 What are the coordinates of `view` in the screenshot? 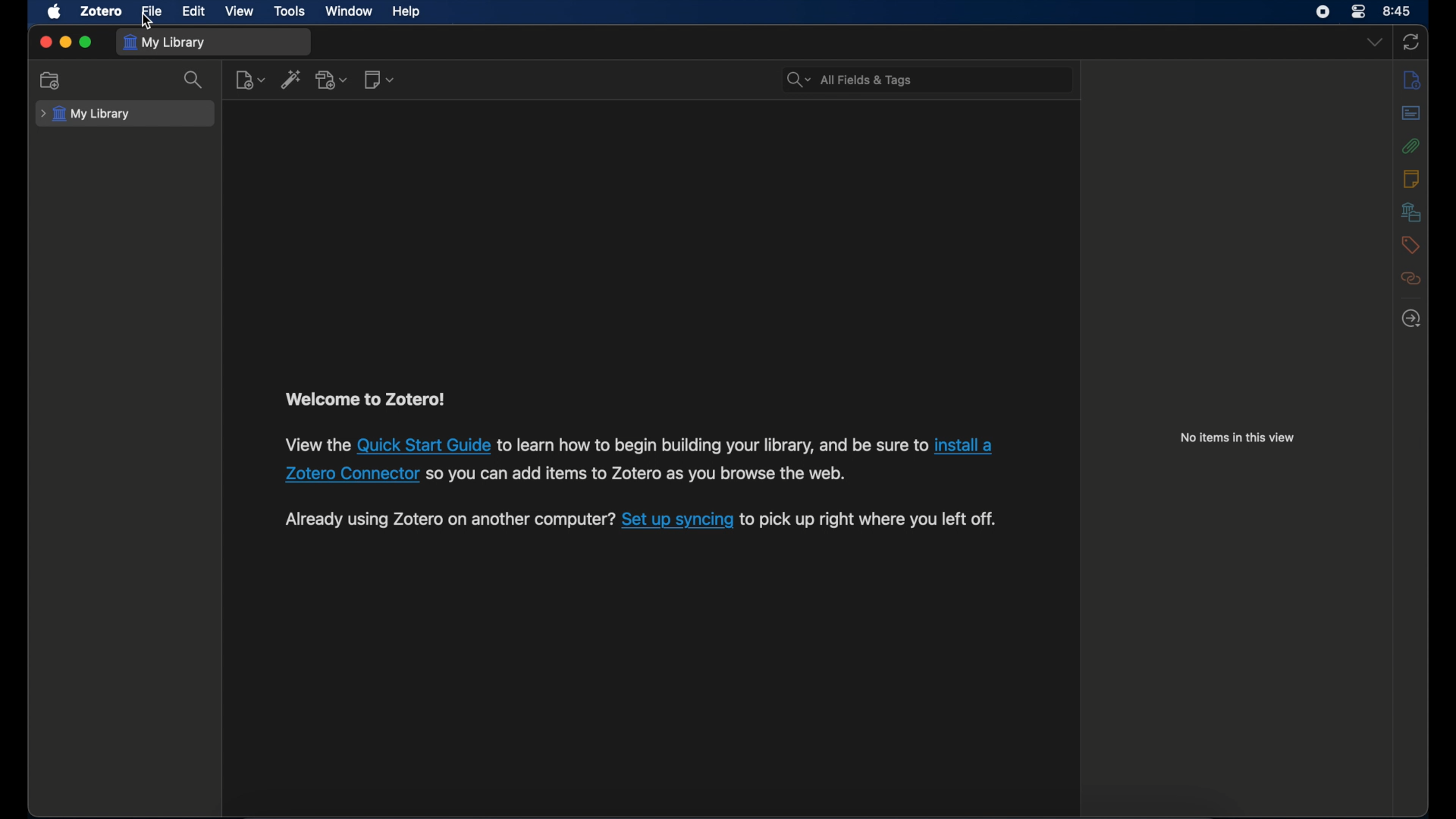 It's located at (240, 11).